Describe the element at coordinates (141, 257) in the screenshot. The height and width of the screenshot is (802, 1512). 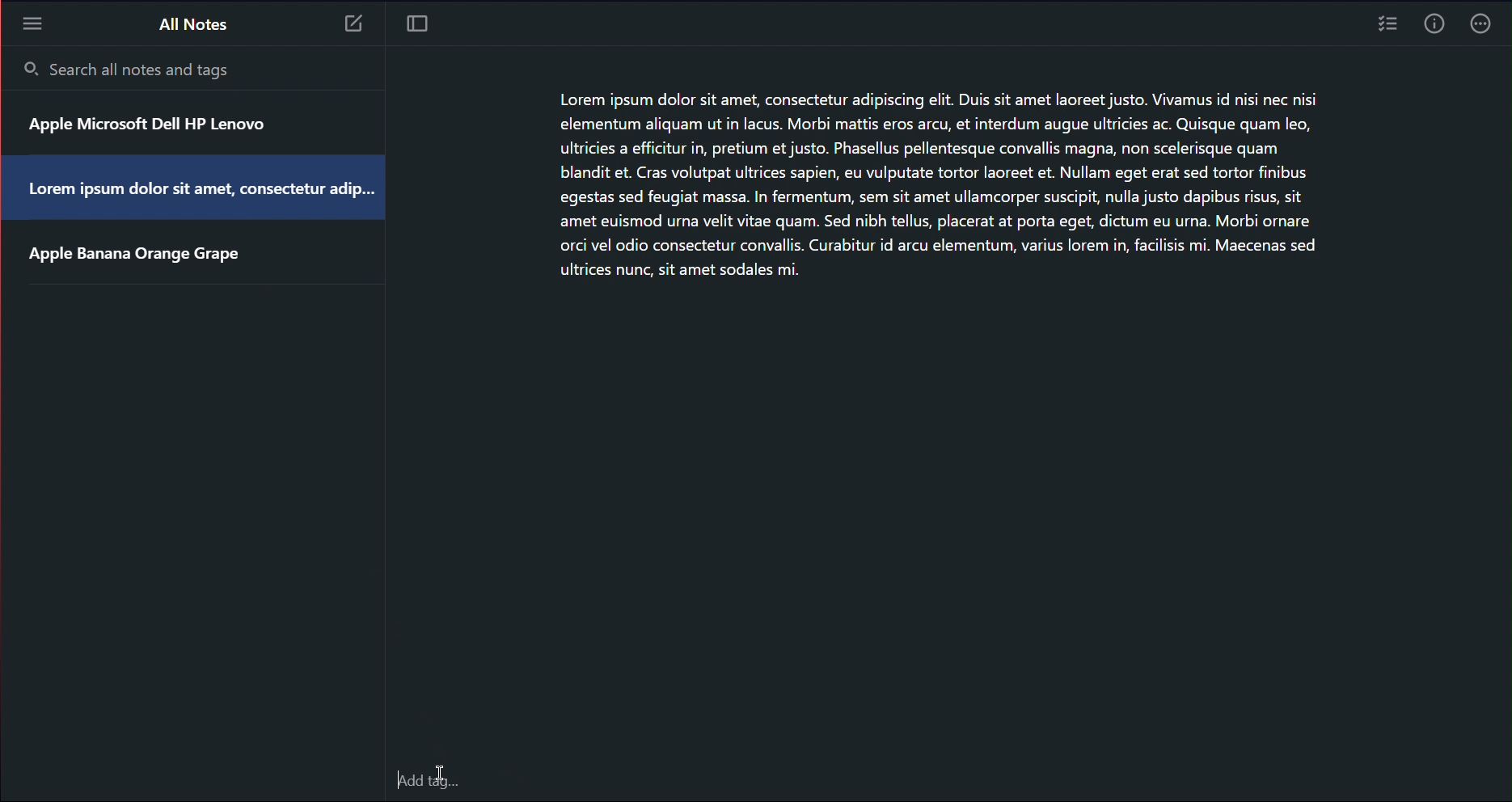
I see `Apple Banana Orange Grape` at that location.